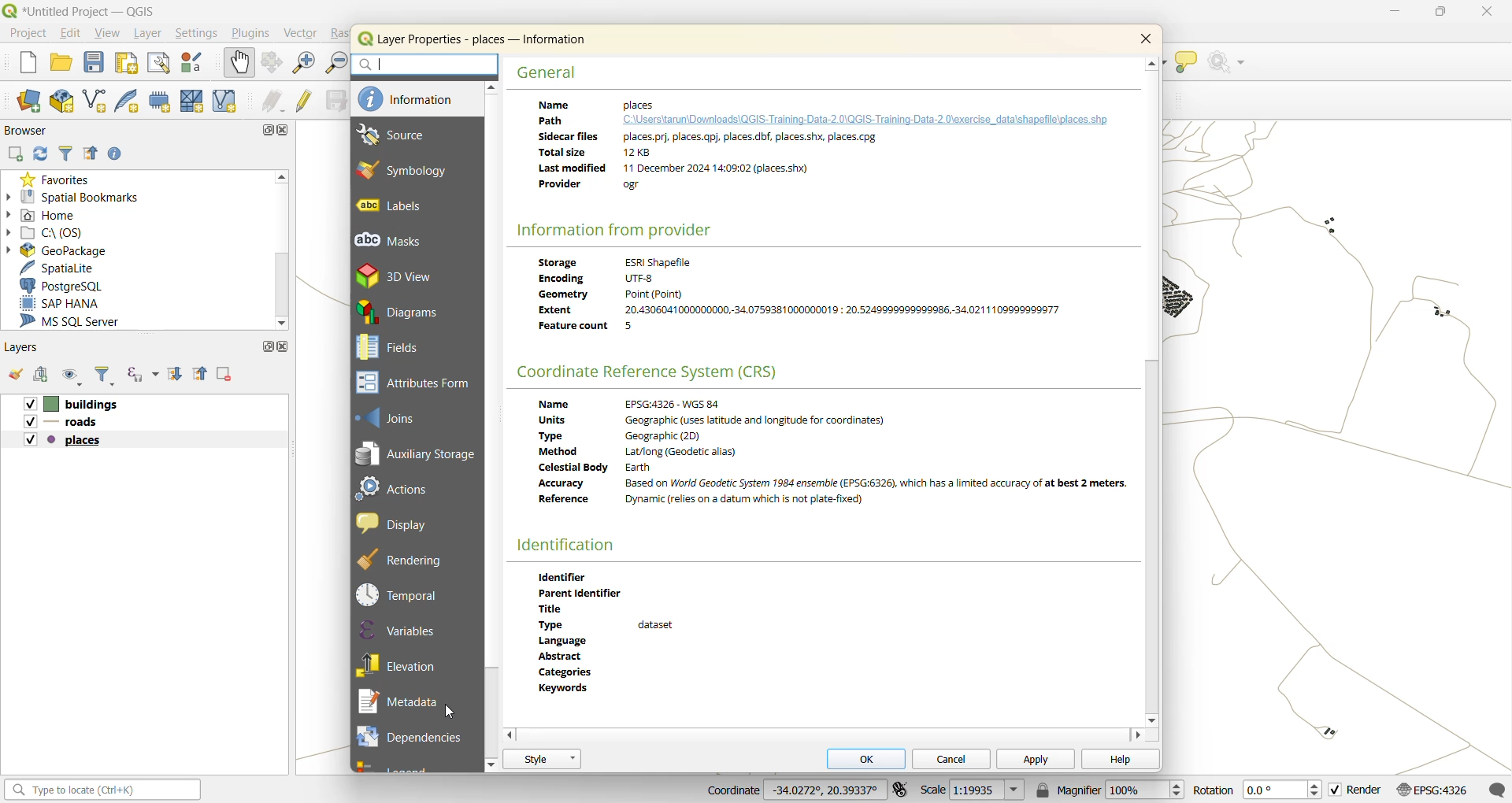 Image resolution: width=1512 pixels, height=803 pixels. Describe the element at coordinates (1228, 65) in the screenshot. I see `no action` at that location.